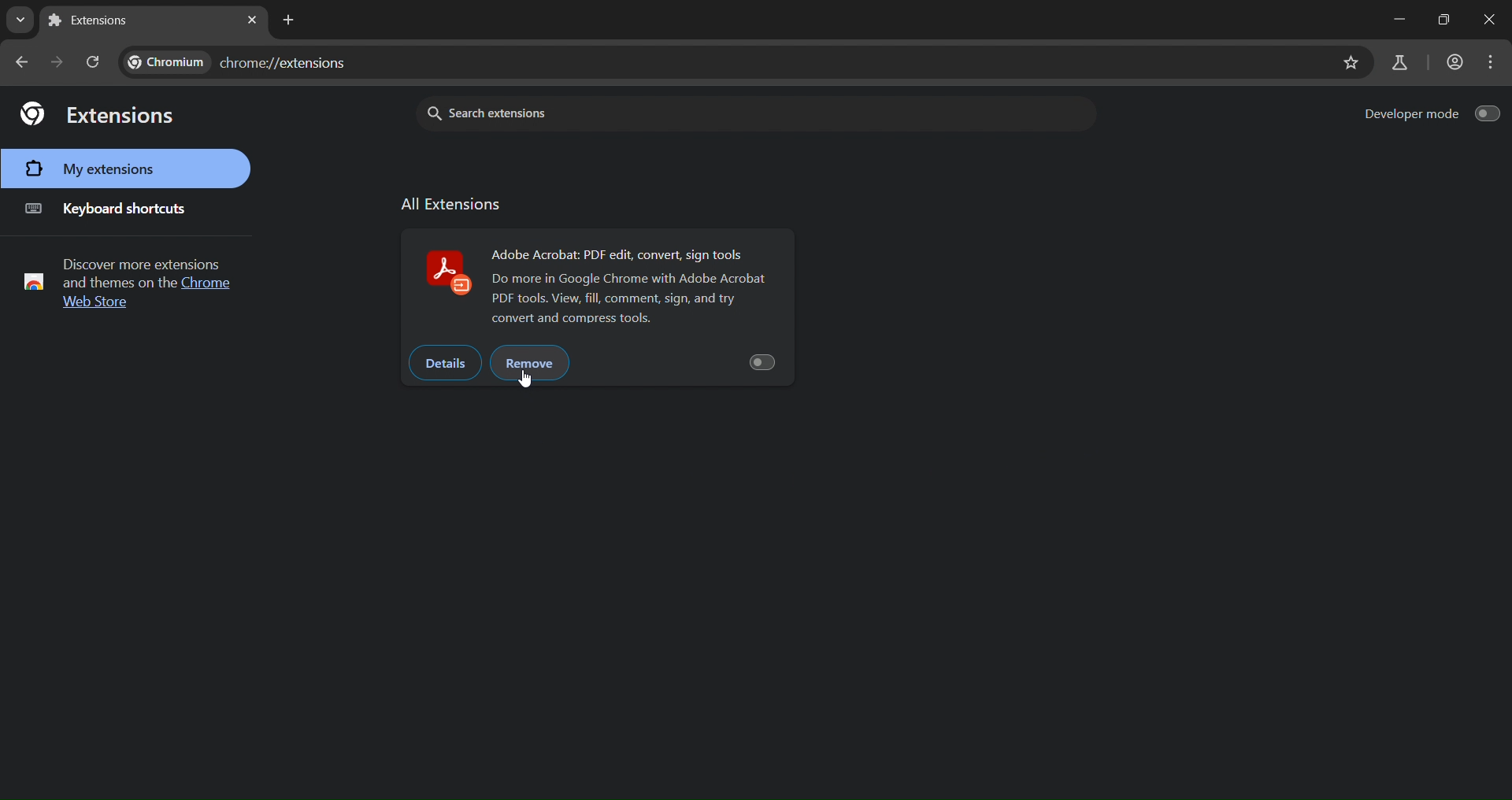 Image resolution: width=1512 pixels, height=800 pixels. Describe the element at coordinates (747, 114) in the screenshot. I see `search extensions` at that location.